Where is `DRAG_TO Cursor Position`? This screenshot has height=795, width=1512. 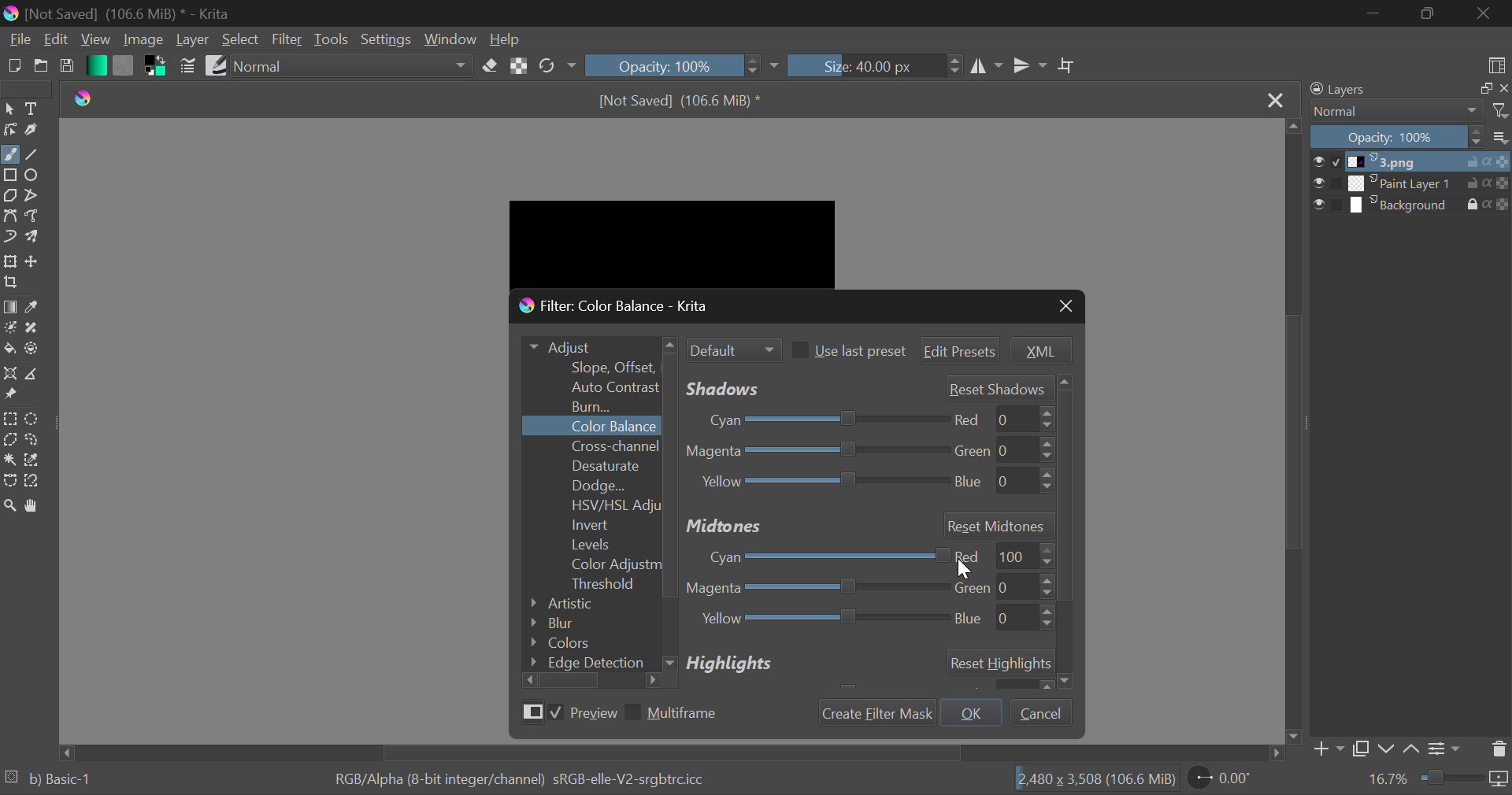
DRAG_TO Cursor Position is located at coordinates (962, 561).